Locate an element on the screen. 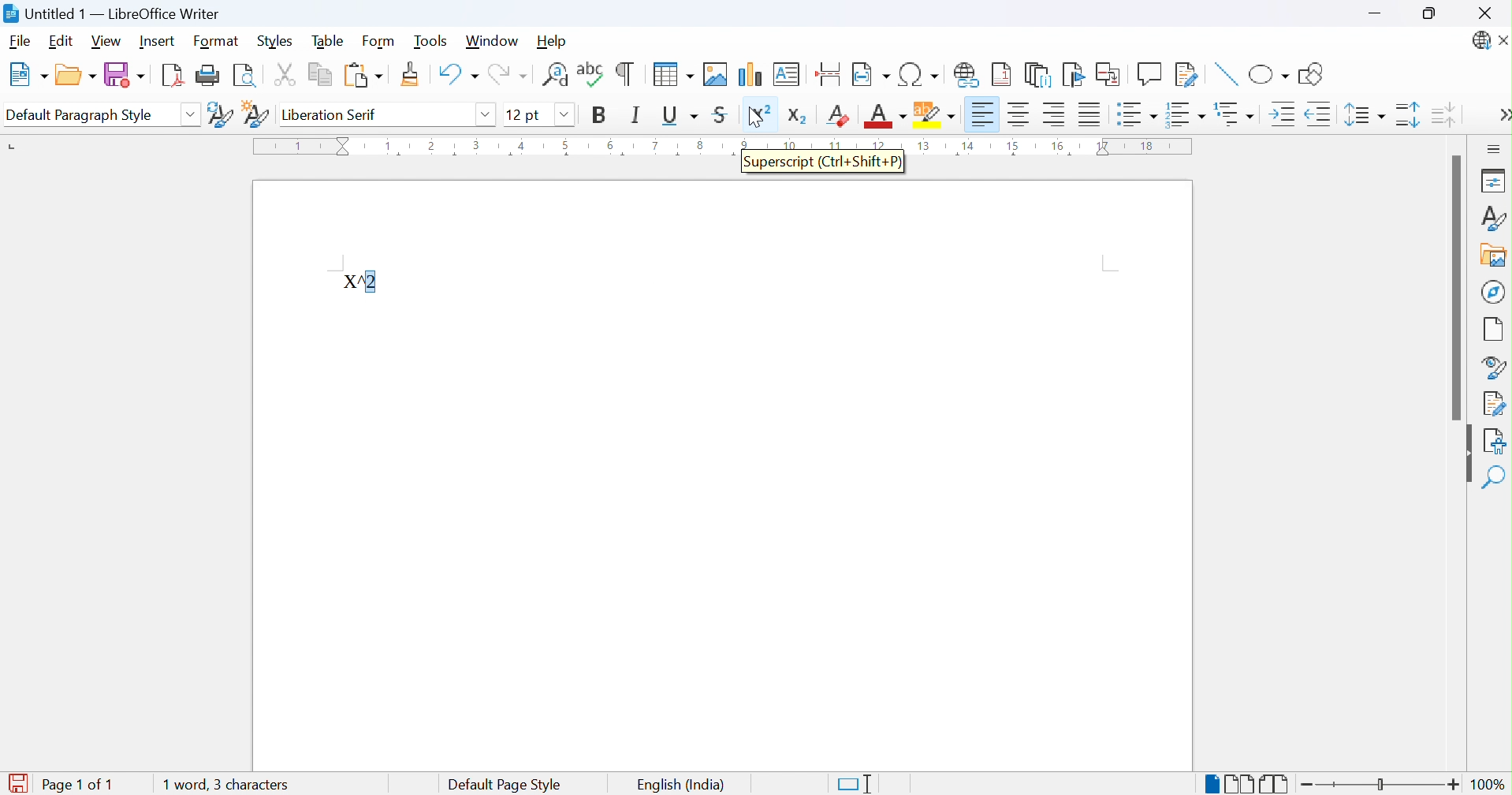  Styles is located at coordinates (275, 39).